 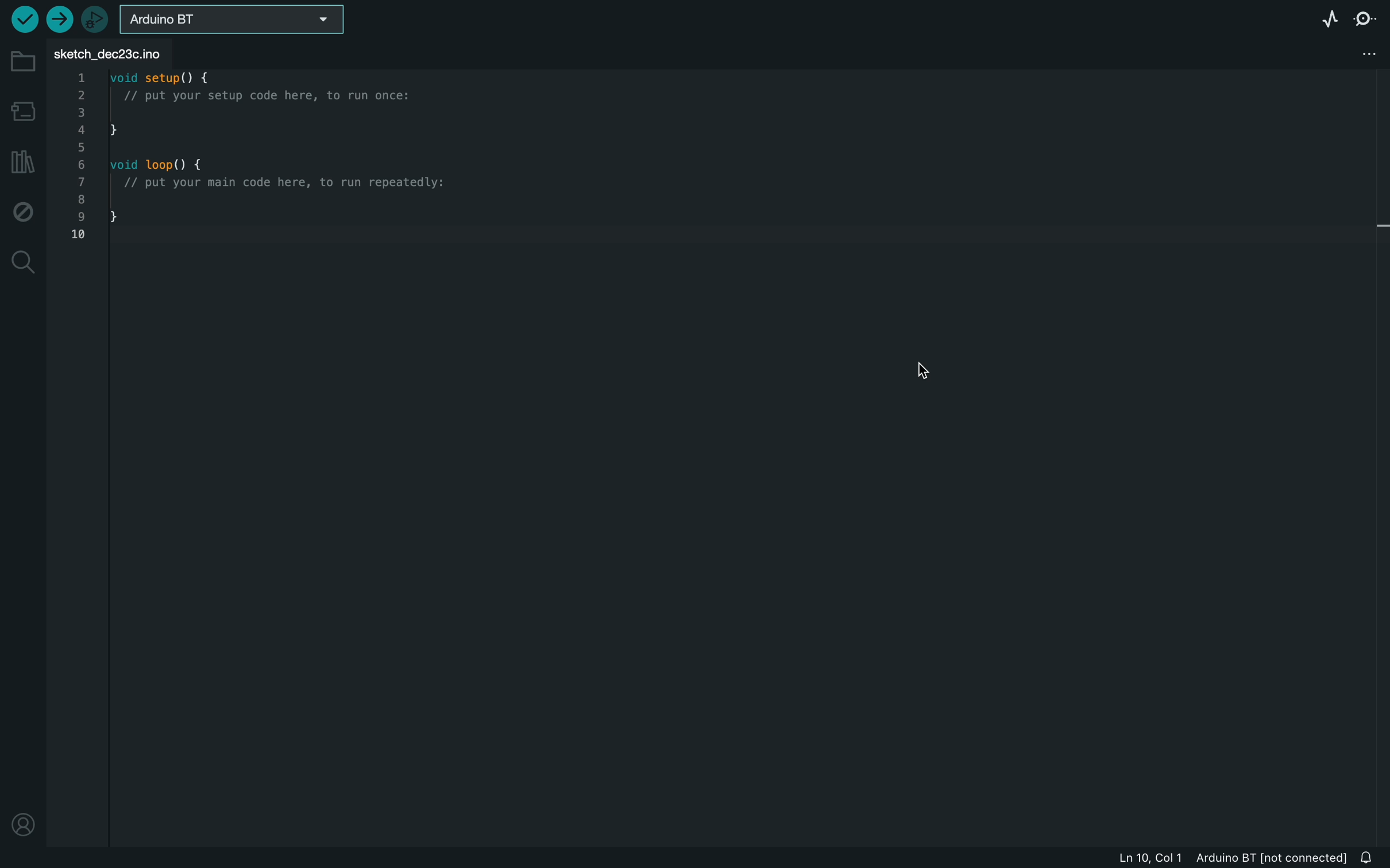 I want to click on file tab, so click(x=114, y=51).